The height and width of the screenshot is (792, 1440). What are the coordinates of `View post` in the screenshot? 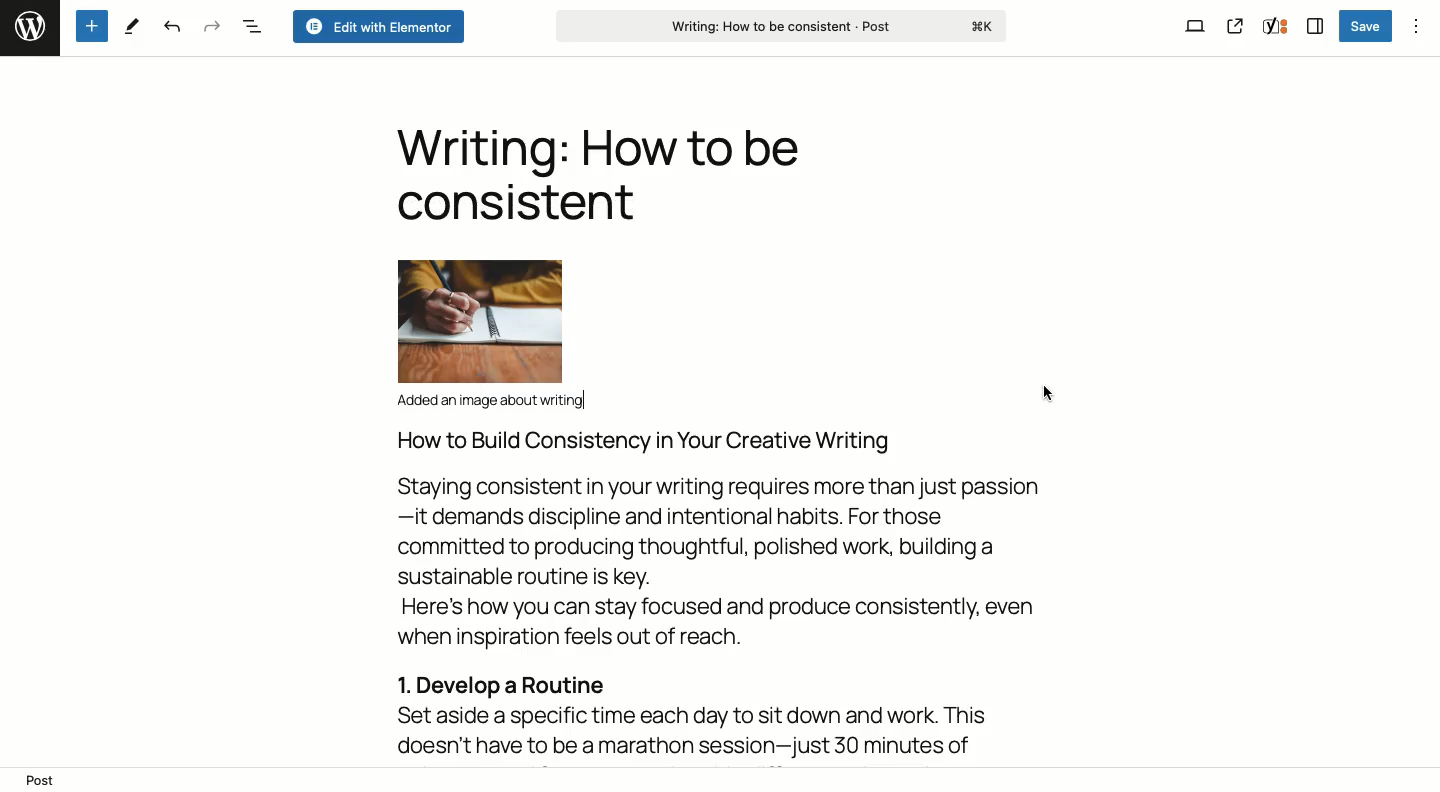 It's located at (1235, 27).